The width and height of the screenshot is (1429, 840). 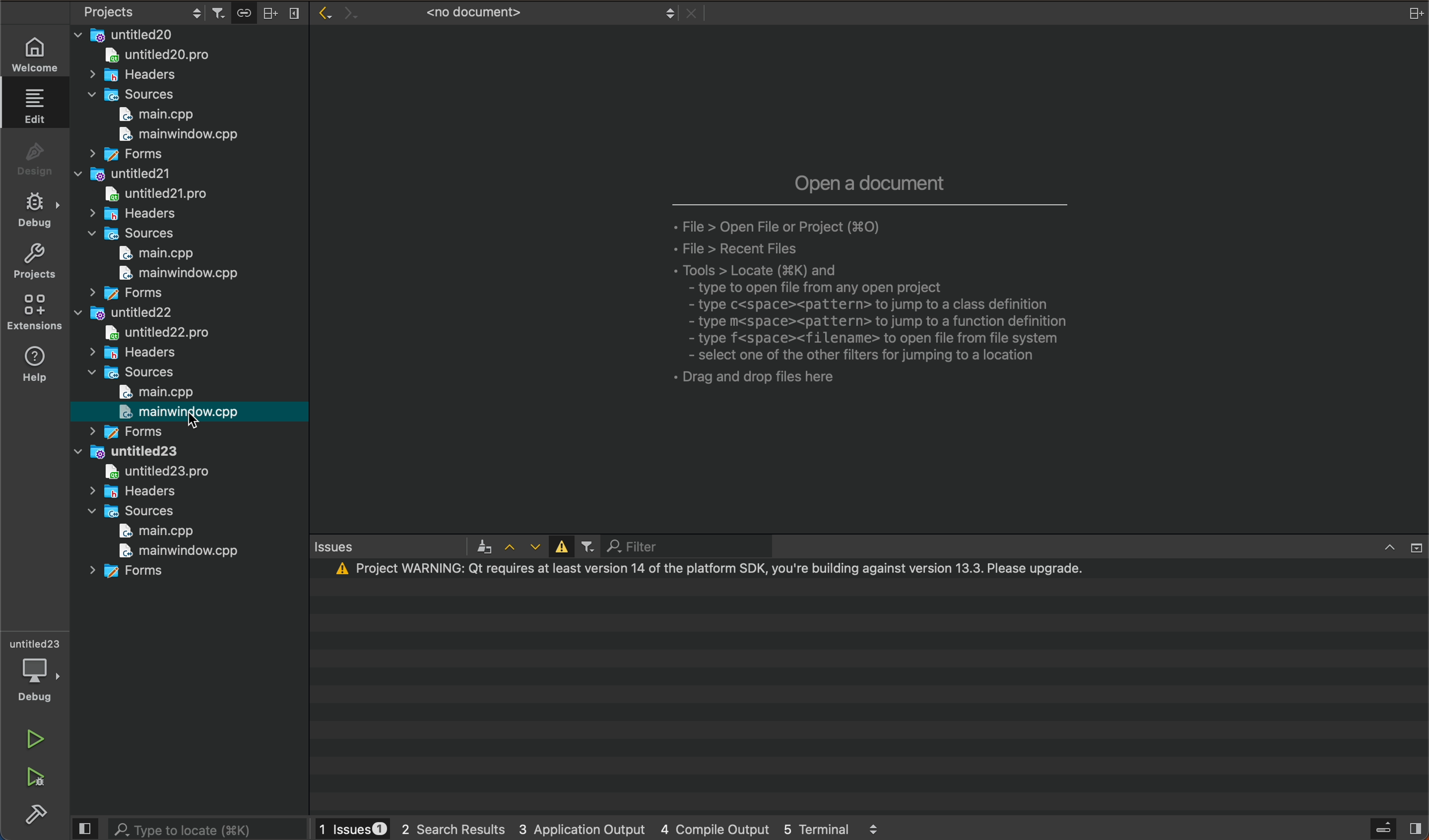 I want to click on main.cpp, so click(x=153, y=392).